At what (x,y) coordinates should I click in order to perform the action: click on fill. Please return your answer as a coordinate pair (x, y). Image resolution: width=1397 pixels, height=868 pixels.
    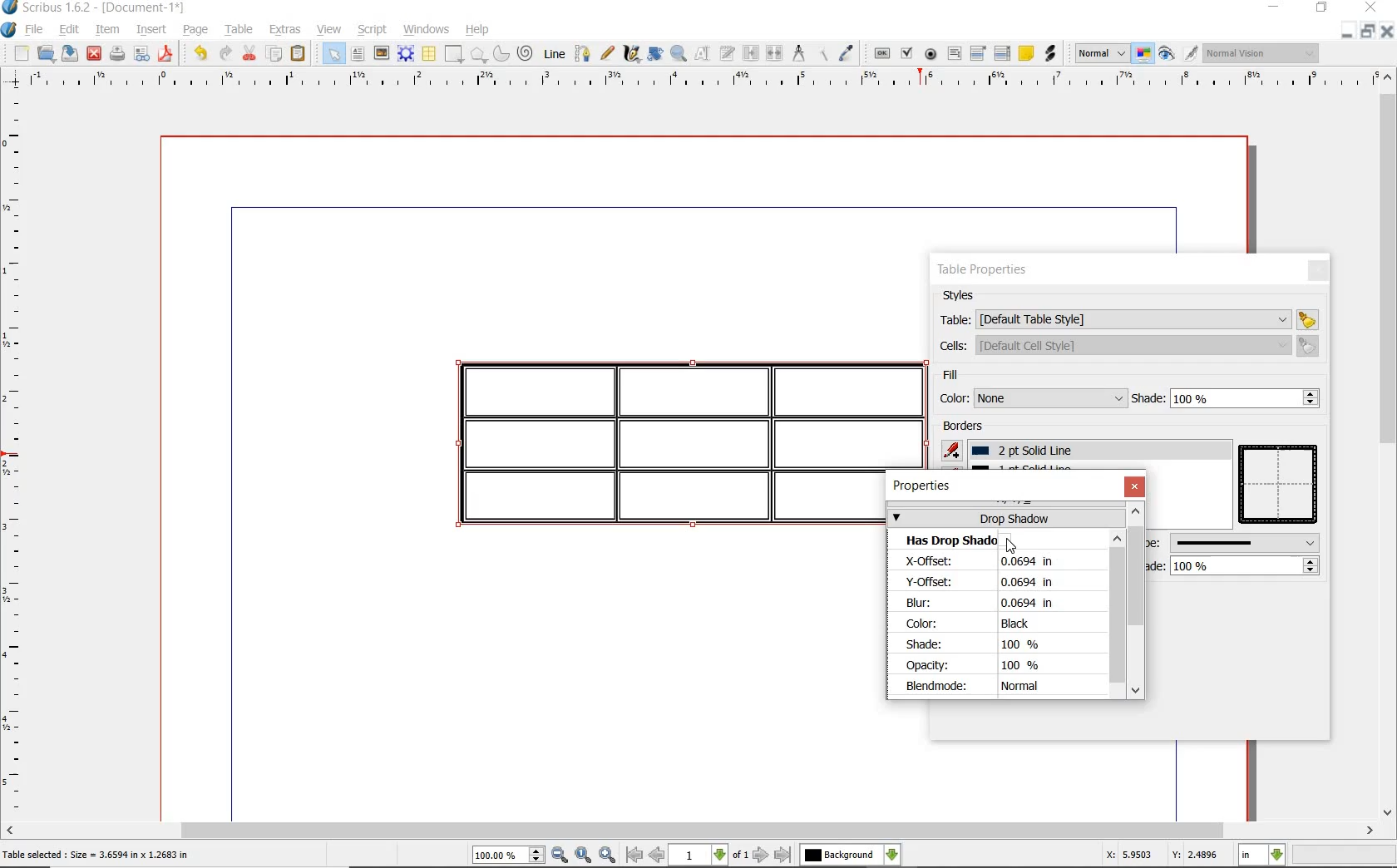
    Looking at the image, I should click on (974, 377).